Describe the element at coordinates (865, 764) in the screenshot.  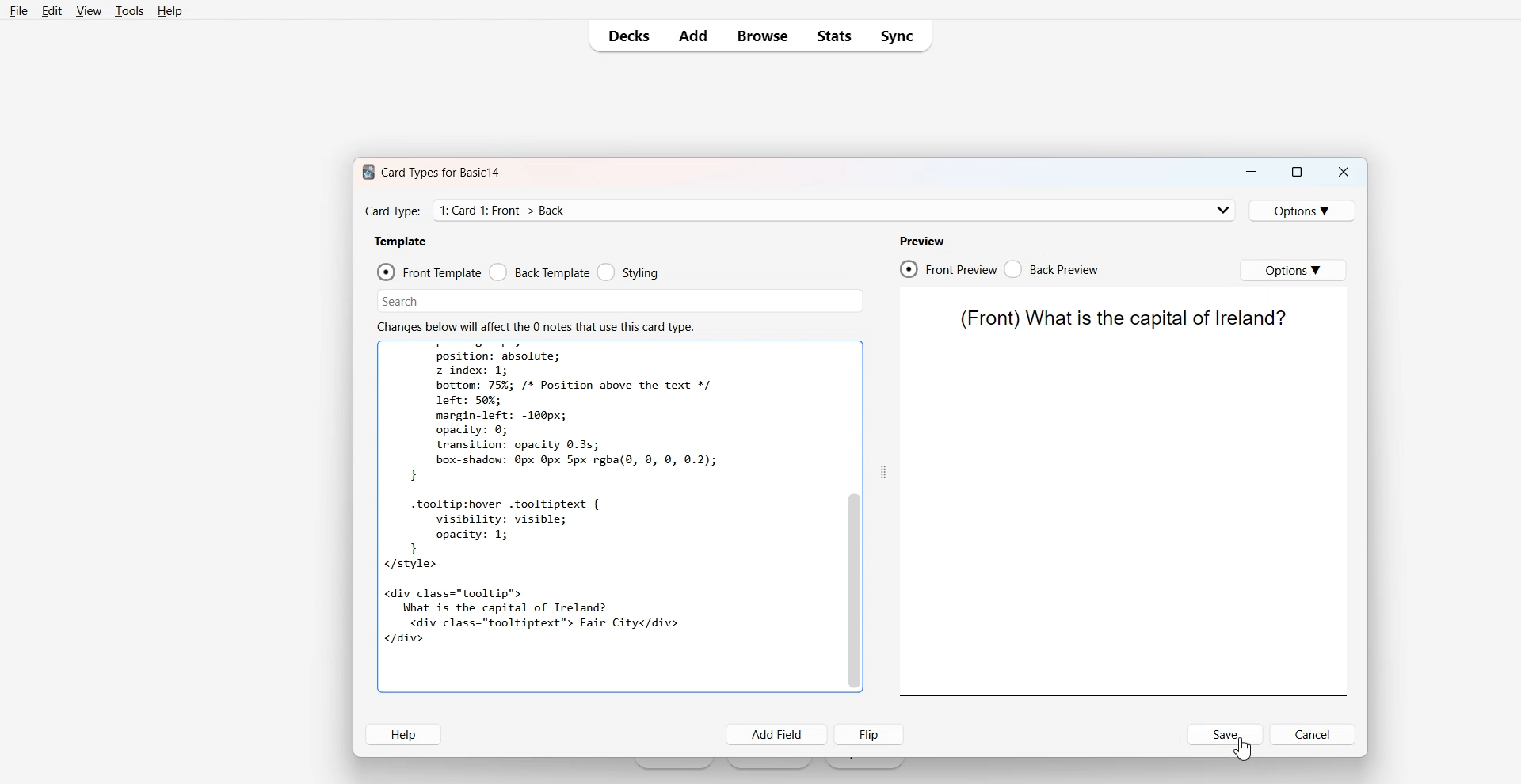
I see `Import File` at that location.